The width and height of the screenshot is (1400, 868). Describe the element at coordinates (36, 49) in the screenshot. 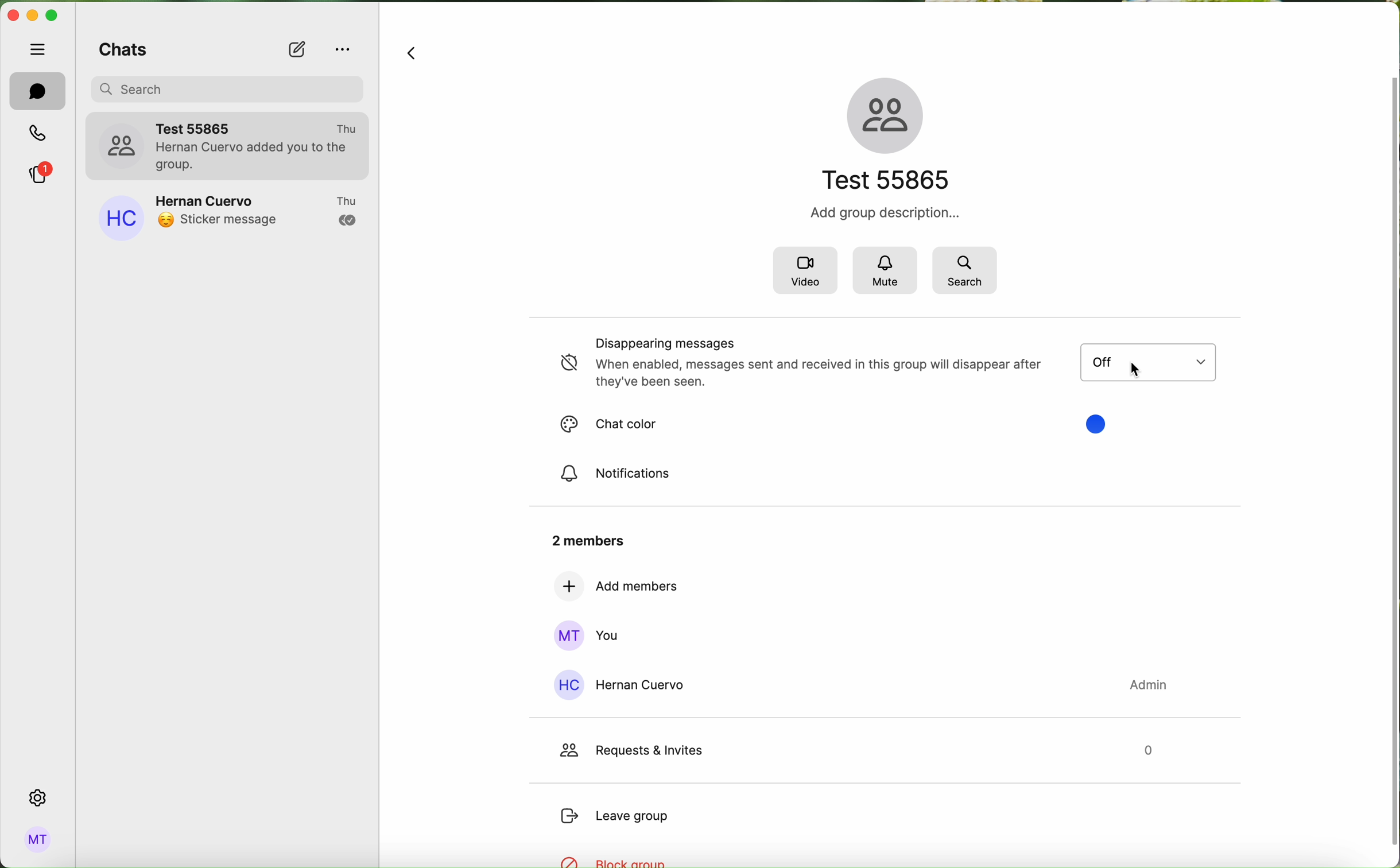

I see `hide tabs` at that location.